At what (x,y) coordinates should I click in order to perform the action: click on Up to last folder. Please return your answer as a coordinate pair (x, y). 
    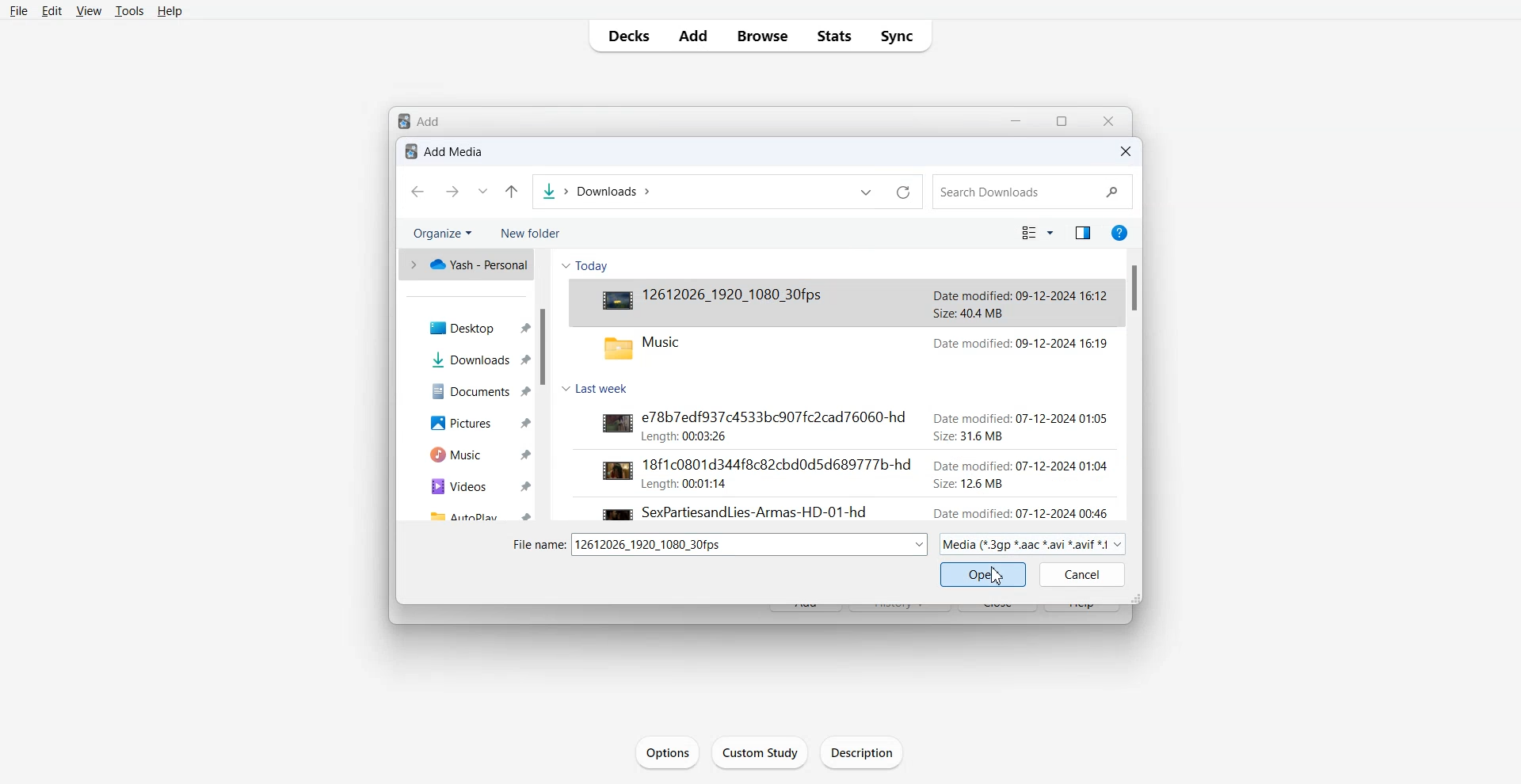
    Looking at the image, I should click on (512, 193).